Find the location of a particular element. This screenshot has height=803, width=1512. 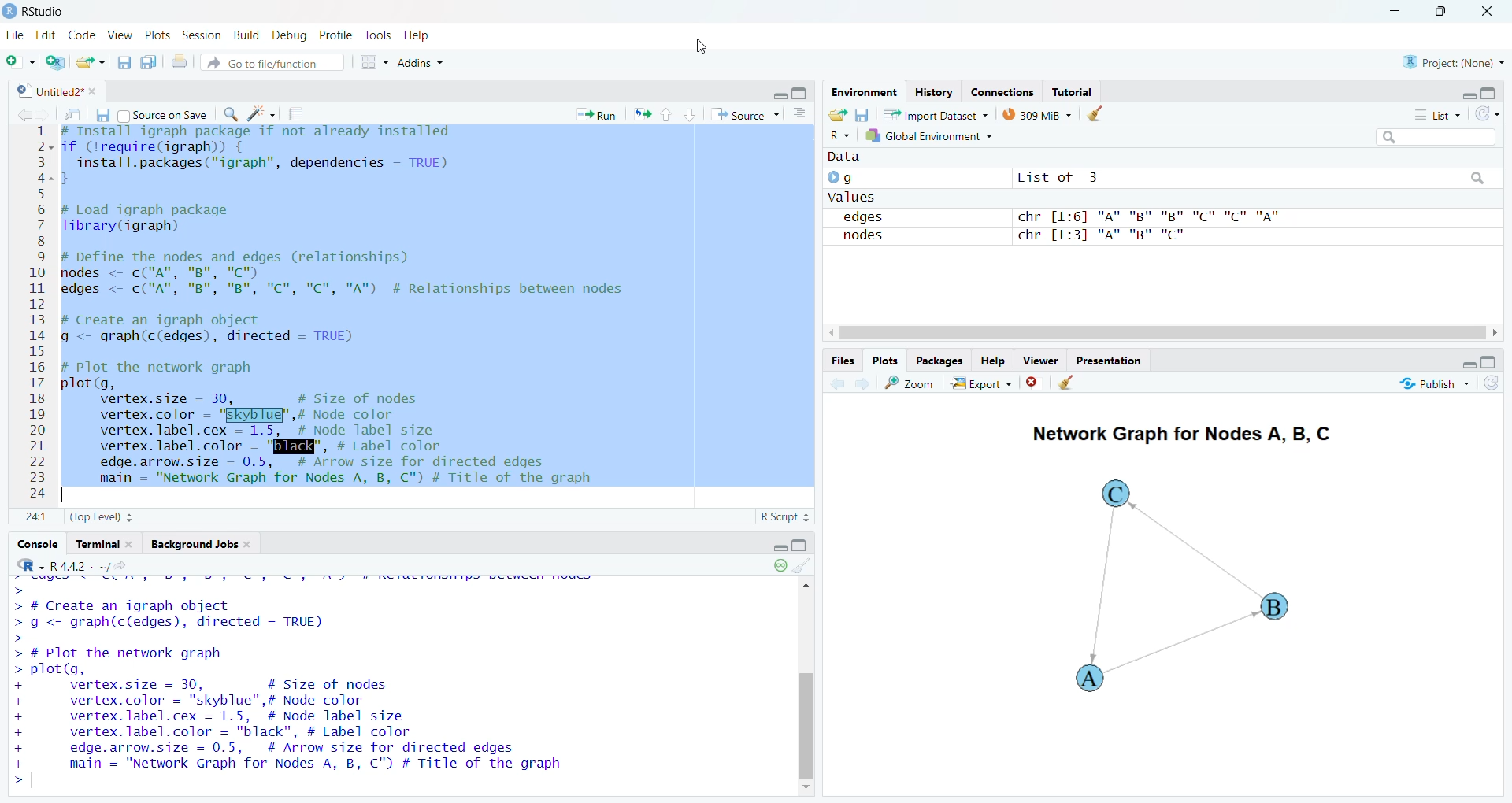

maximise is located at coordinates (801, 92).